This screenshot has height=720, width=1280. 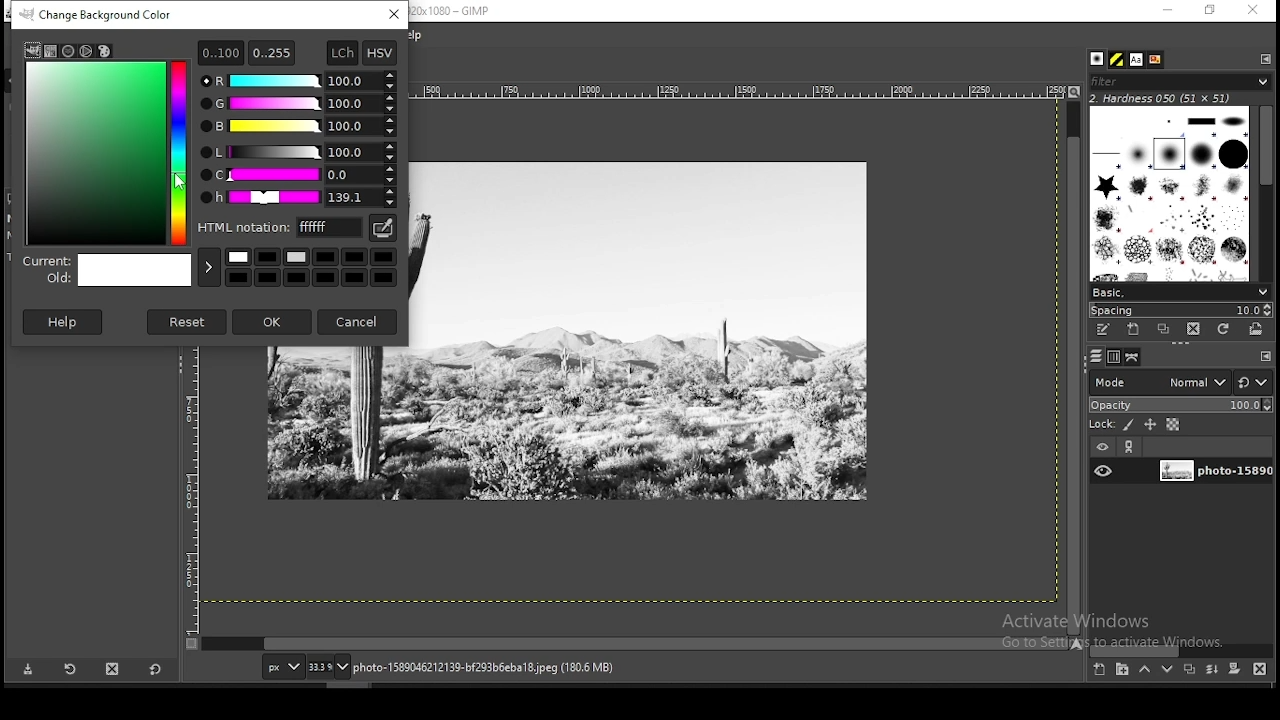 What do you see at coordinates (504, 667) in the screenshot?
I see `` at bounding box center [504, 667].